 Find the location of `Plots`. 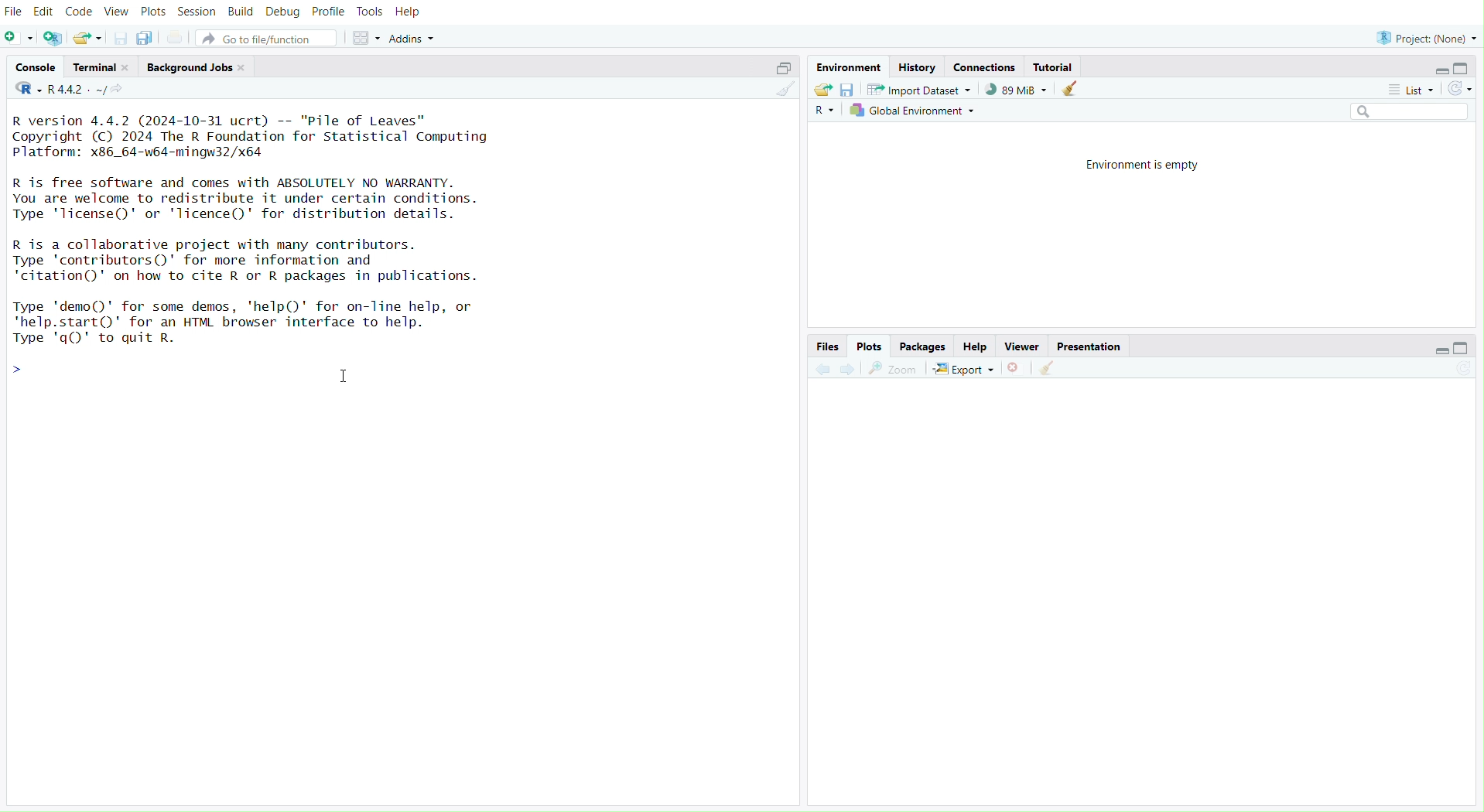

Plots is located at coordinates (871, 344).